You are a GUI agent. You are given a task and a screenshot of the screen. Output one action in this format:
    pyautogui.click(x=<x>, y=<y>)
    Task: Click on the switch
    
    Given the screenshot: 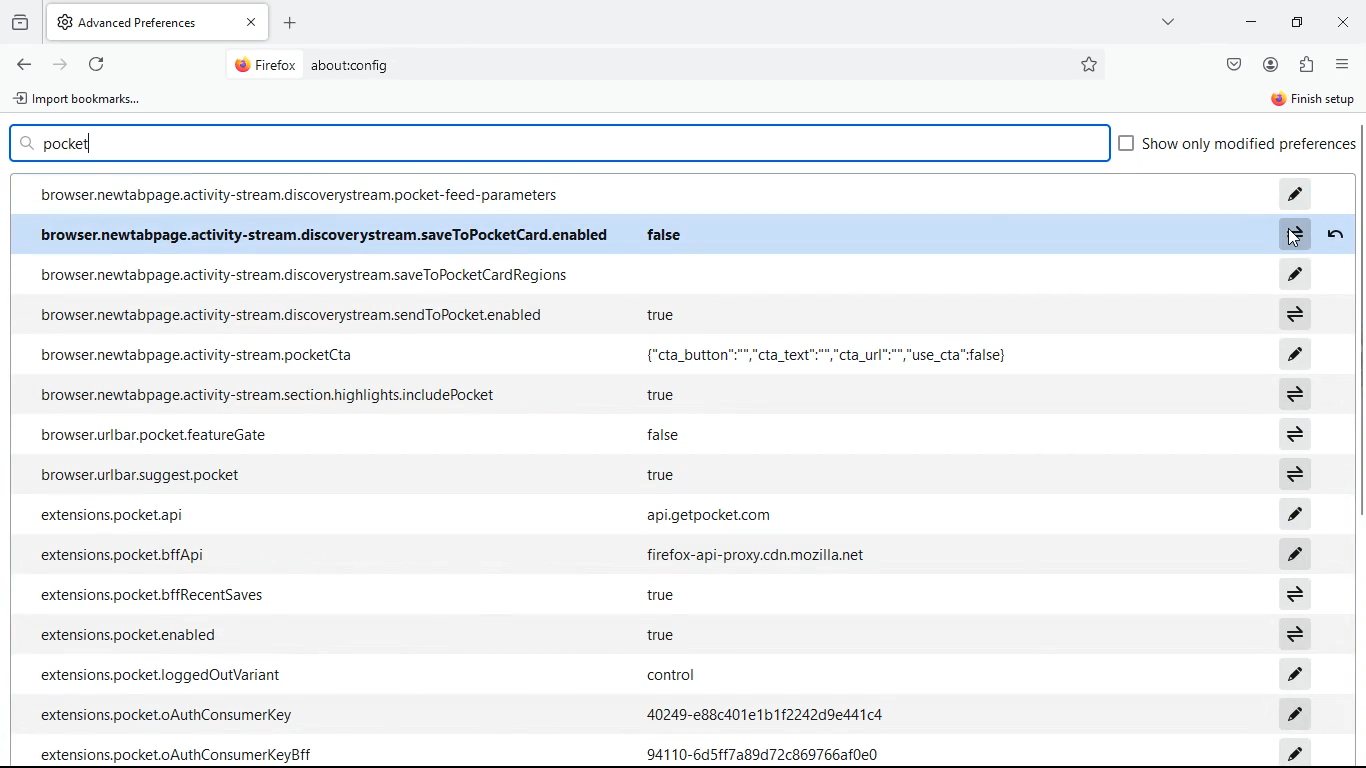 What is the action you would take?
    pyautogui.click(x=1293, y=393)
    